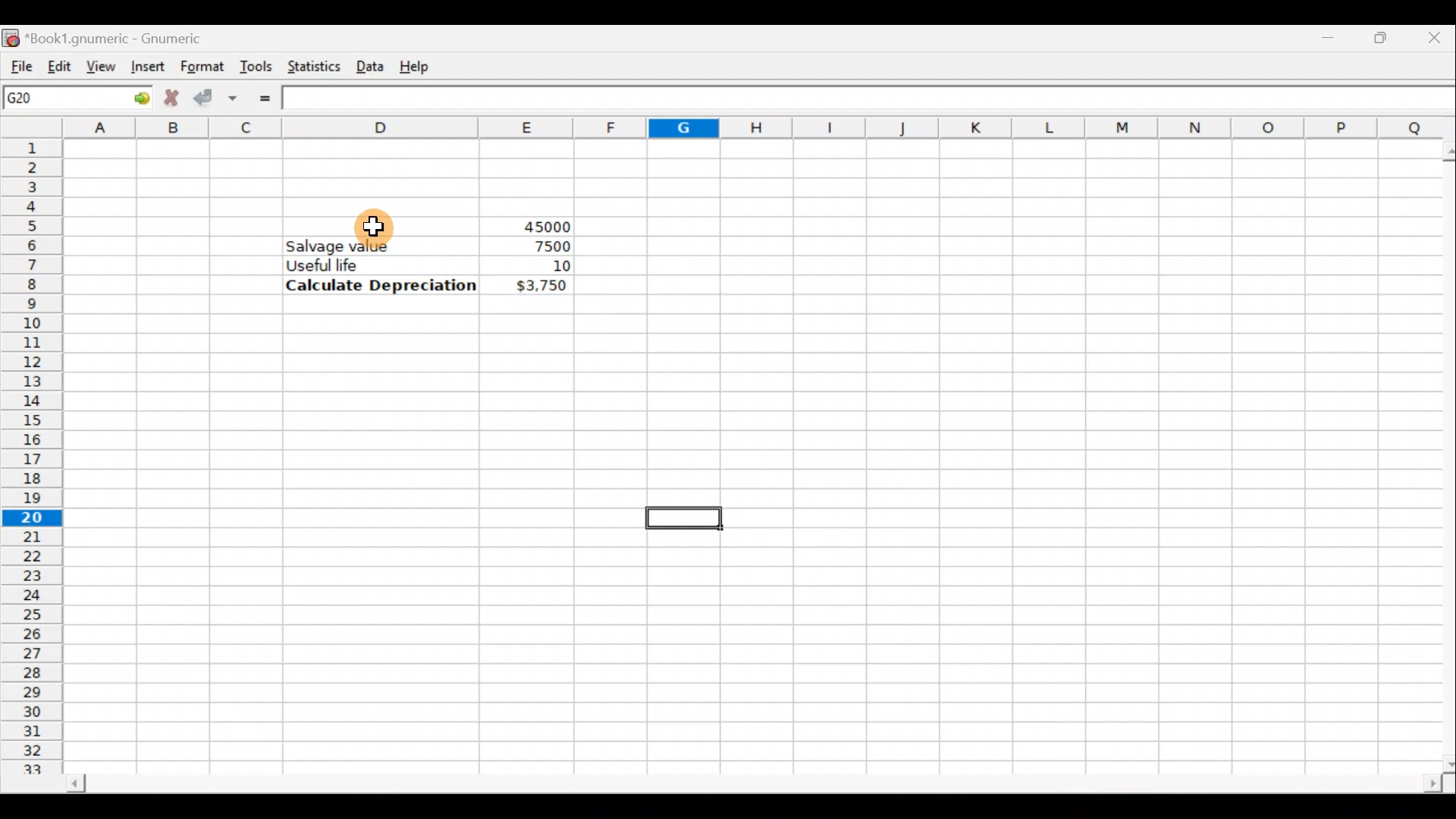 The width and height of the screenshot is (1456, 819). Describe the element at coordinates (871, 100) in the screenshot. I see `Formula bar` at that location.